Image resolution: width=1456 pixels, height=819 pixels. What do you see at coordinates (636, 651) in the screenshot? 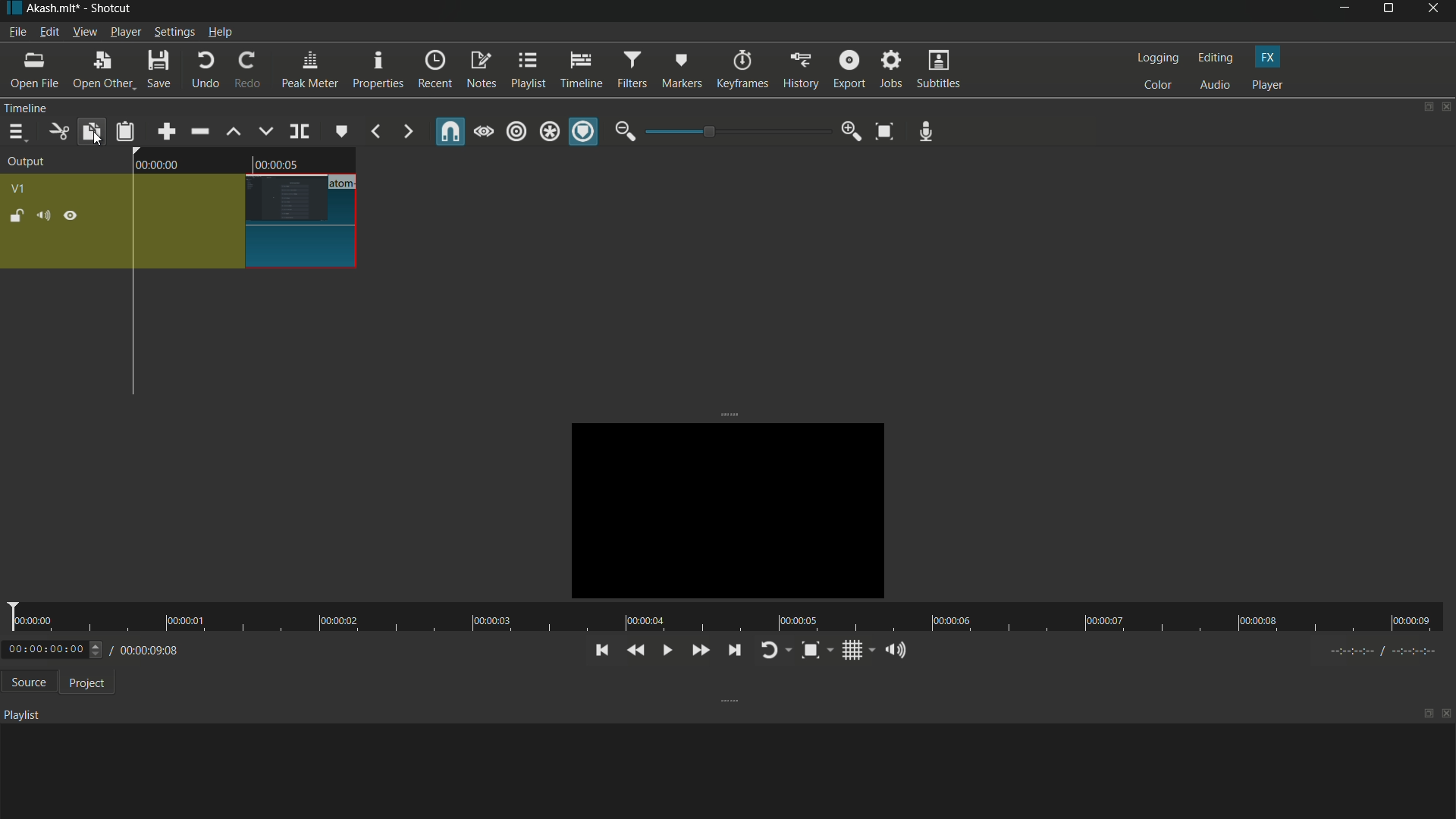
I see `quickly play backward` at bounding box center [636, 651].